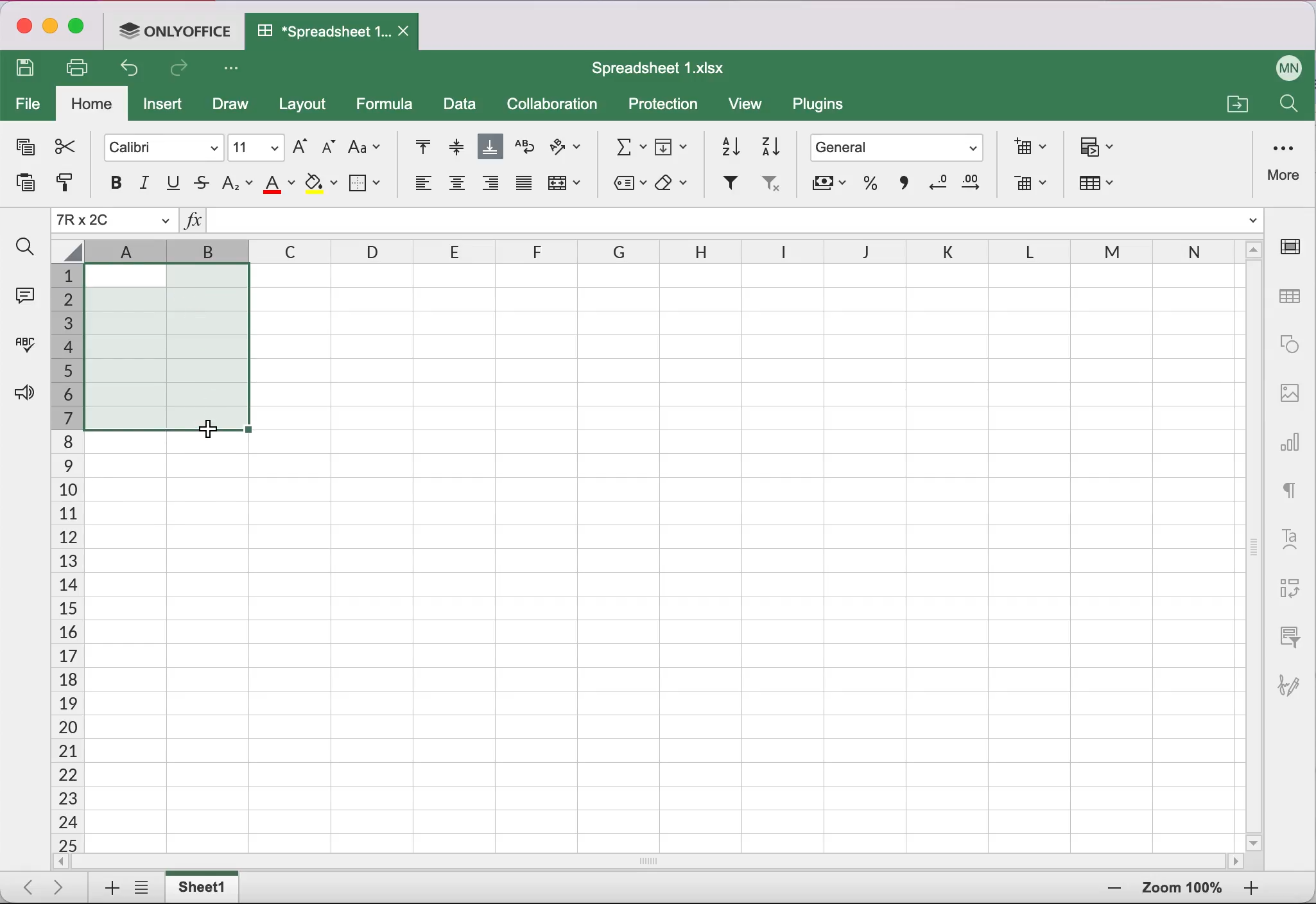  What do you see at coordinates (936, 186) in the screenshot?
I see `decrease decimal` at bounding box center [936, 186].